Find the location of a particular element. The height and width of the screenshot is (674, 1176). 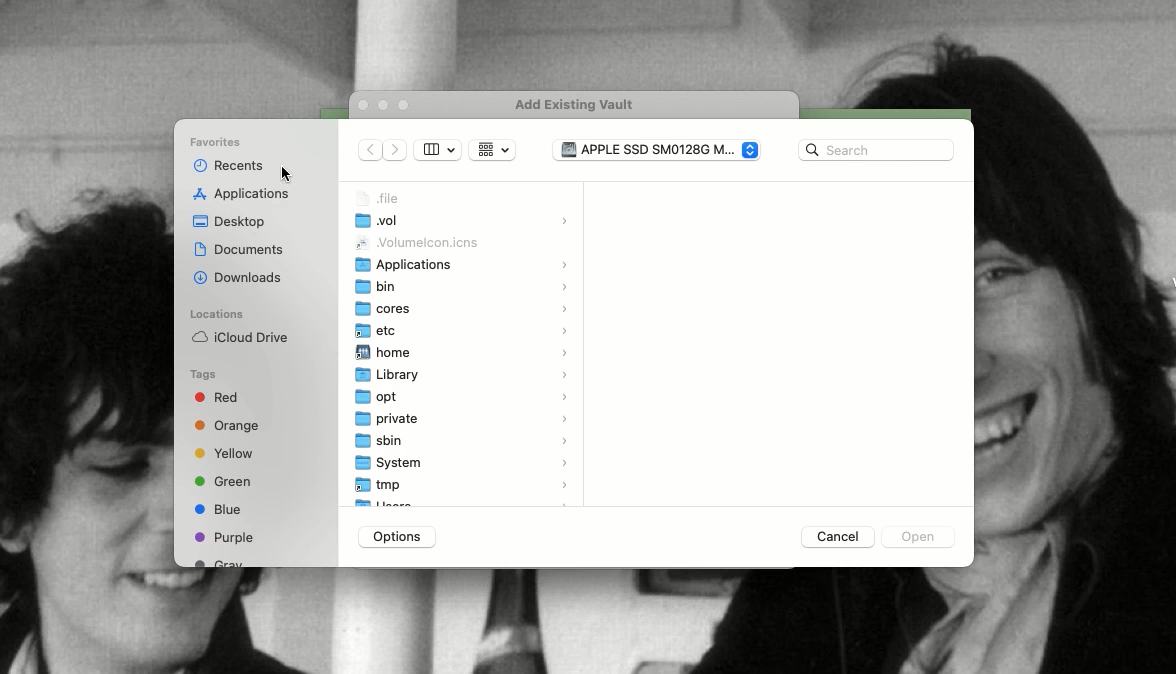

Blue is located at coordinates (218, 509).